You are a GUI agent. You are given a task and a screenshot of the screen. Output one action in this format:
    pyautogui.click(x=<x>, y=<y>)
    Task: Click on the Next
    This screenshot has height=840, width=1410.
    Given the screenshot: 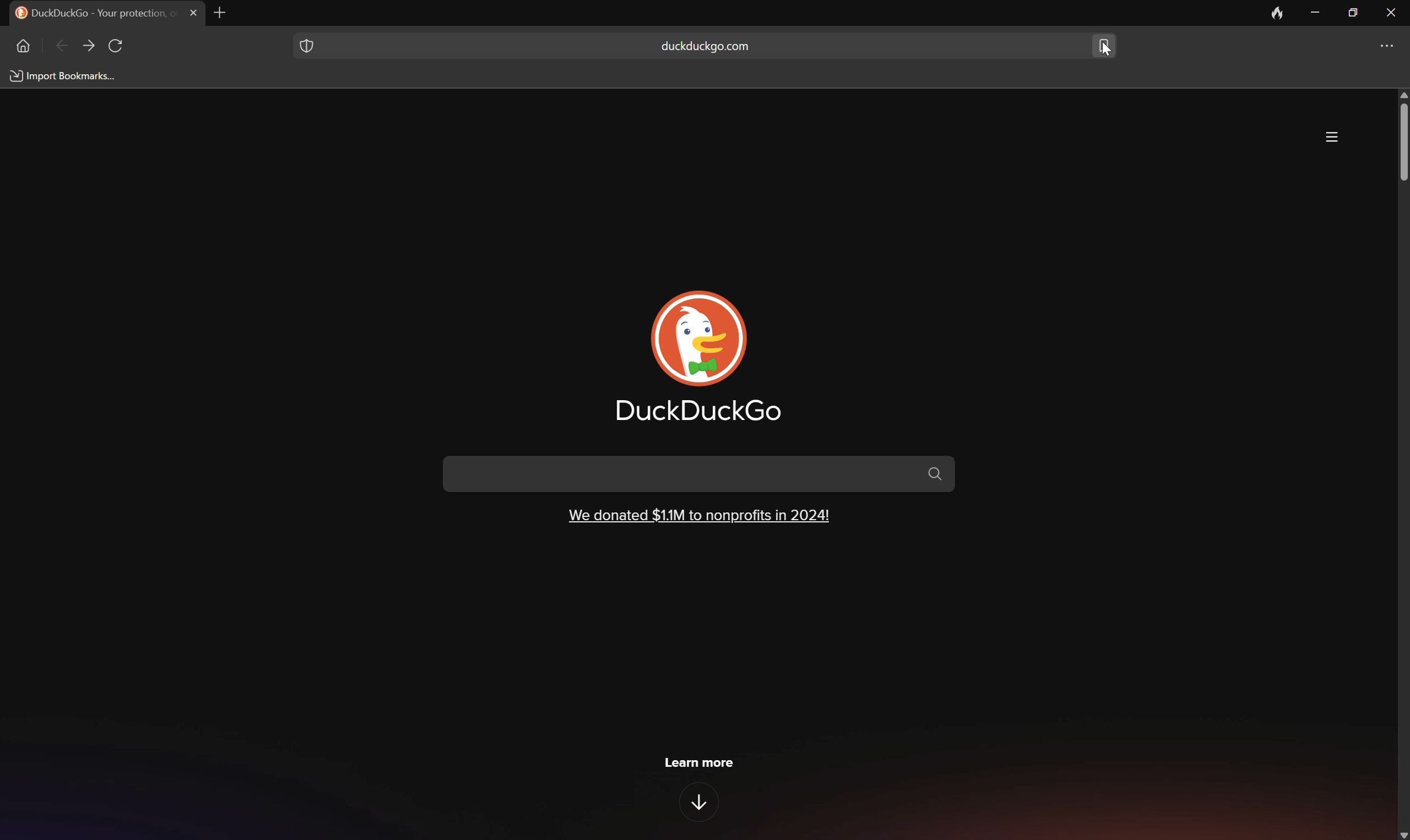 What is the action you would take?
    pyautogui.click(x=89, y=46)
    